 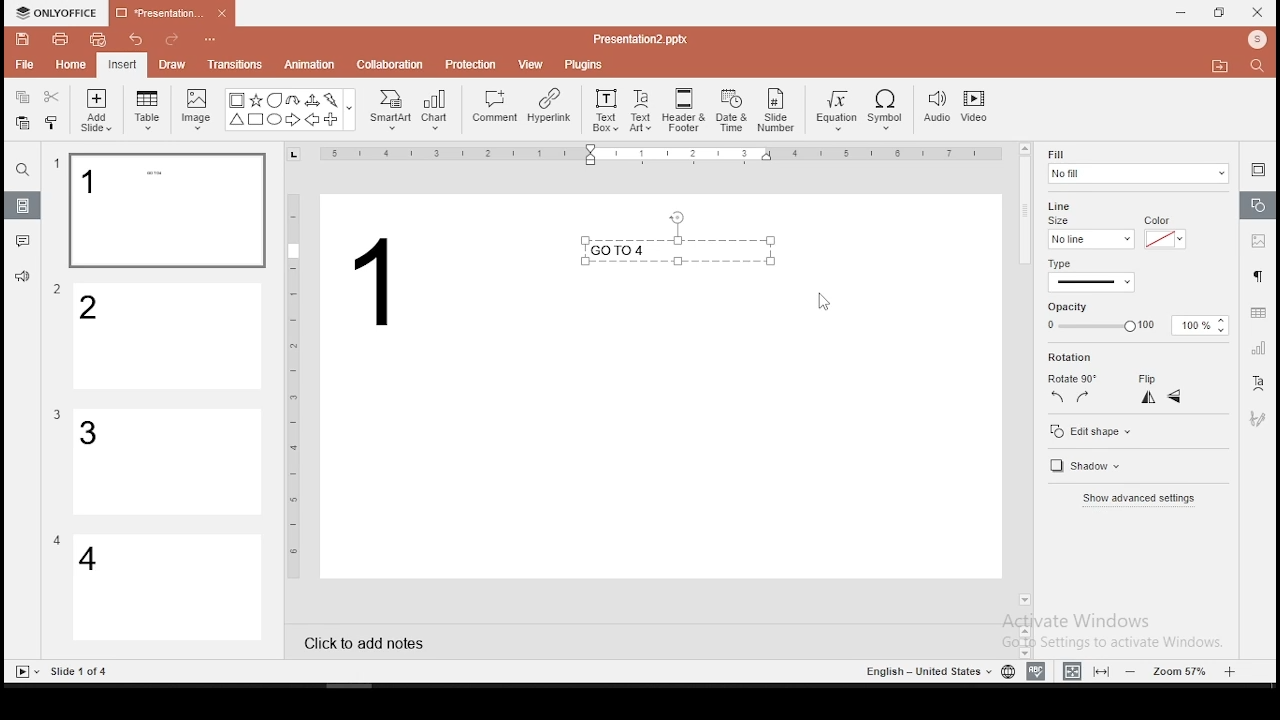 I want to click on Arrow Left, so click(x=312, y=120).